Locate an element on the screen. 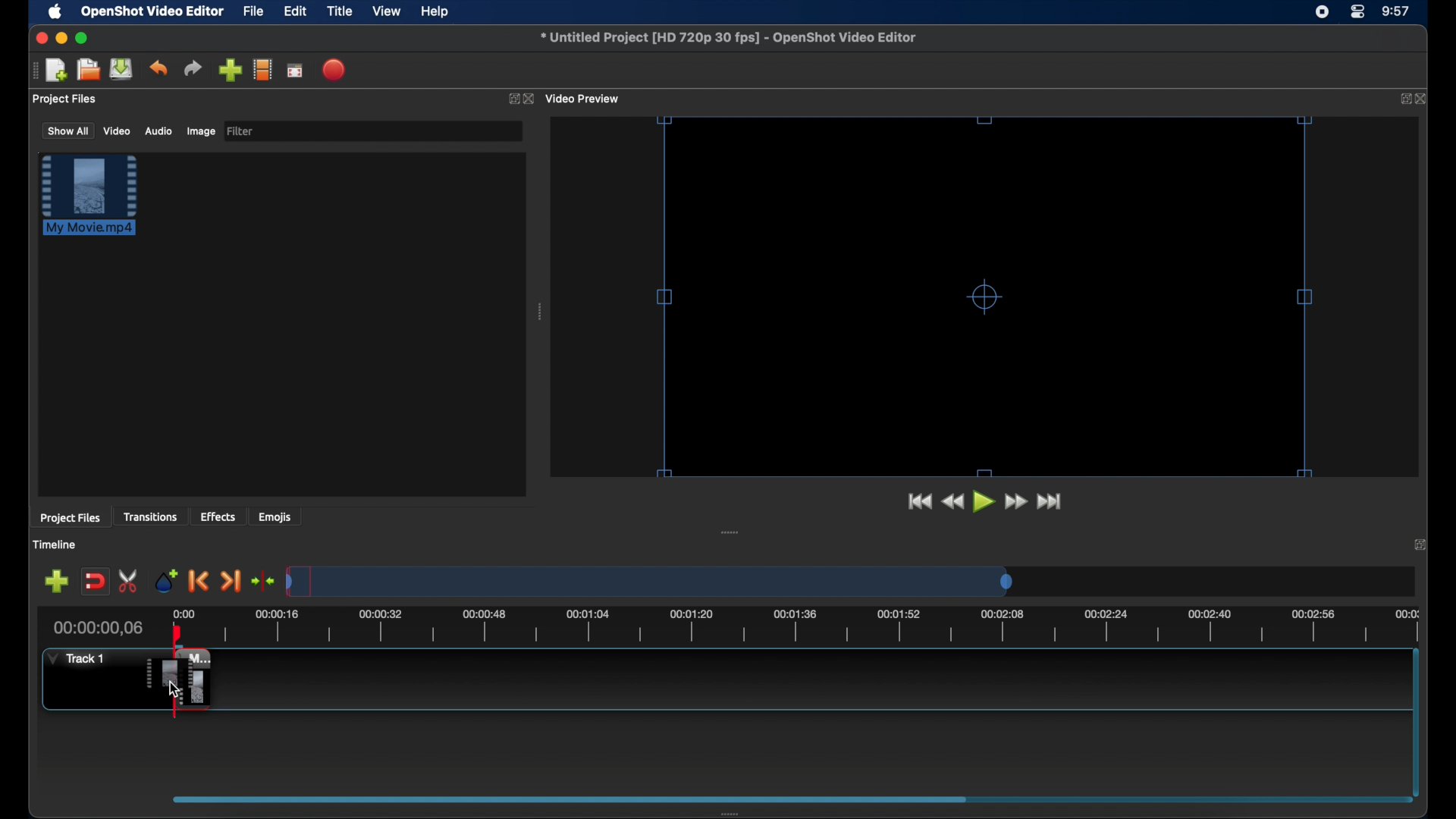 This screenshot has height=819, width=1456. drag handle is located at coordinates (34, 71).